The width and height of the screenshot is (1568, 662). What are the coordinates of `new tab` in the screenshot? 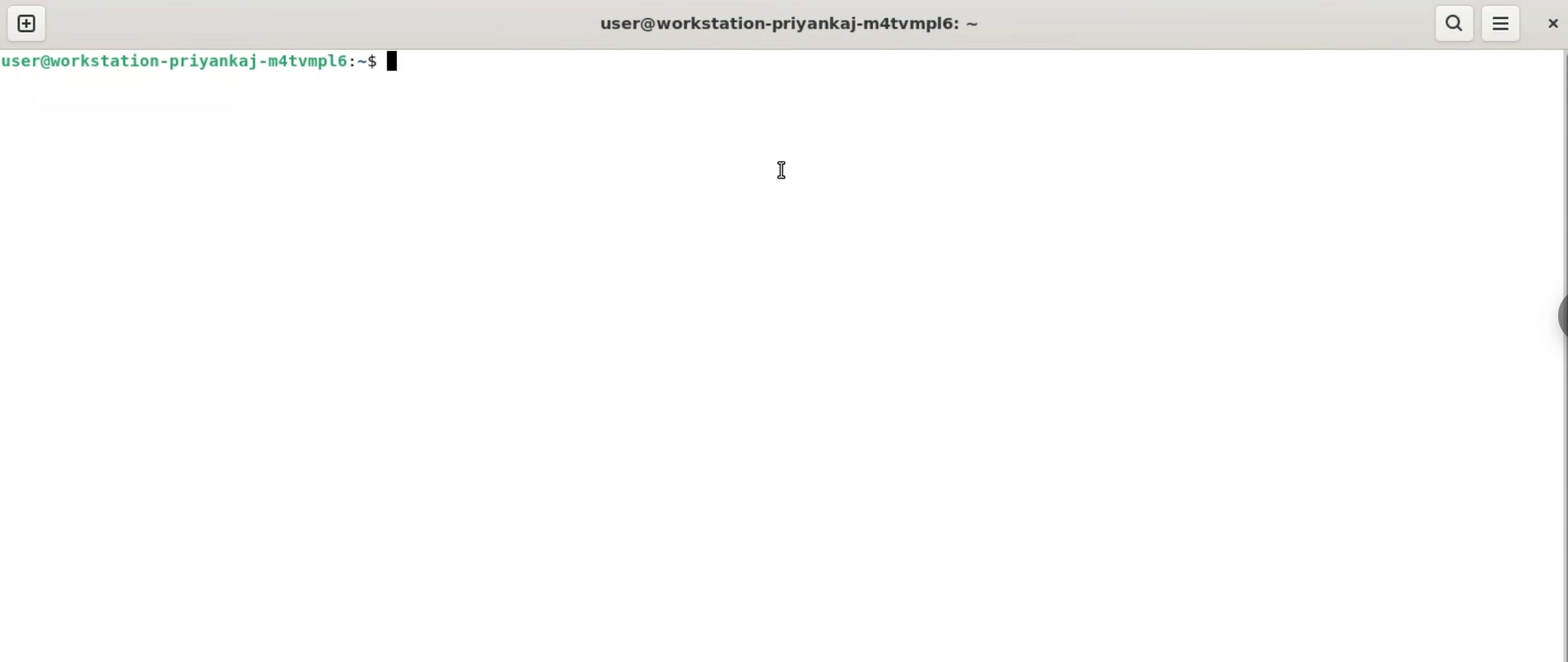 It's located at (29, 23).